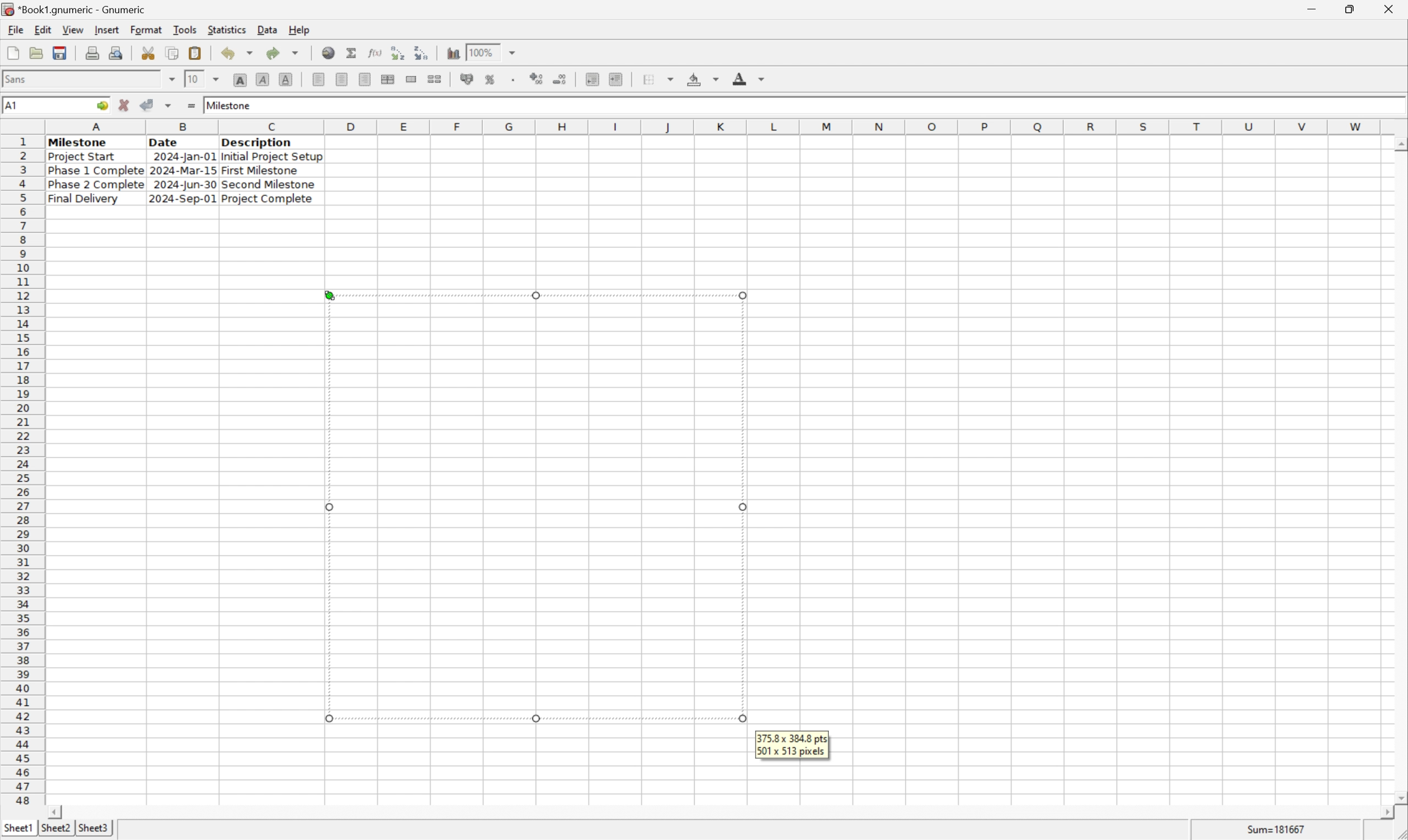 The width and height of the screenshot is (1408, 840). I want to click on file, so click(15, 30).